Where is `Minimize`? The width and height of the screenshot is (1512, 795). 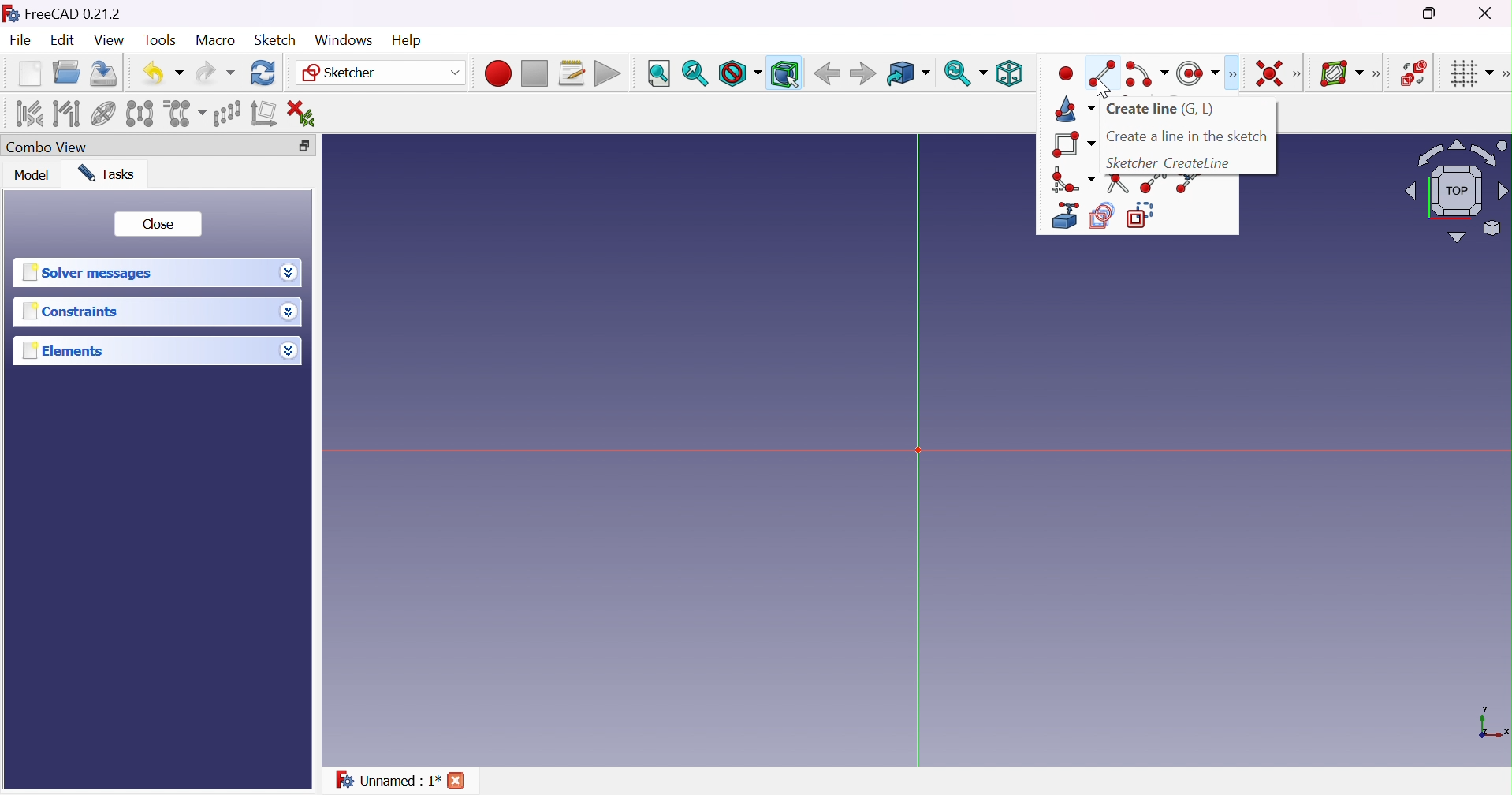
Minimize is located at coordinates (1376, 15).